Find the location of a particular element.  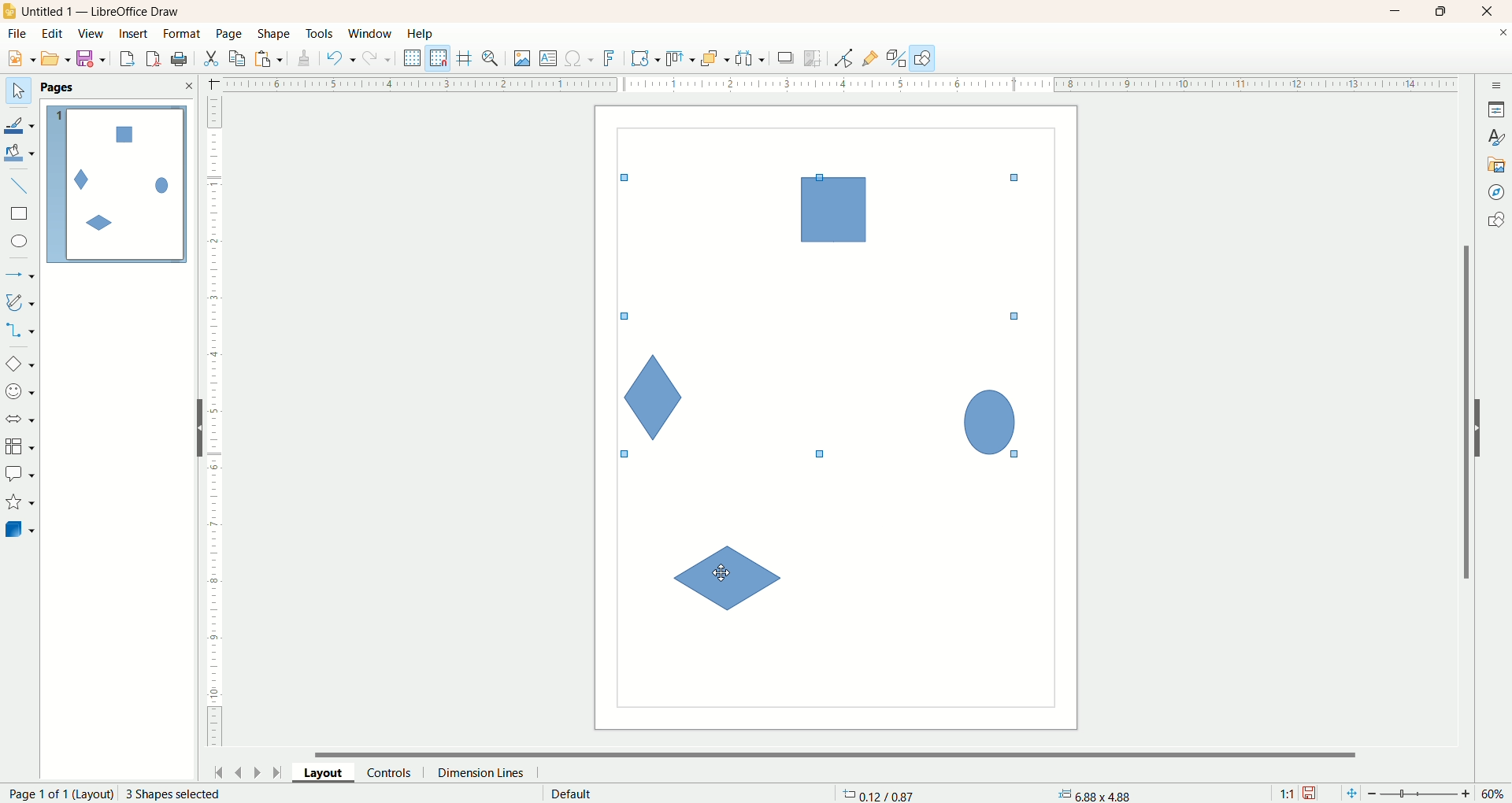

tools is located at coordinates (321, 35).